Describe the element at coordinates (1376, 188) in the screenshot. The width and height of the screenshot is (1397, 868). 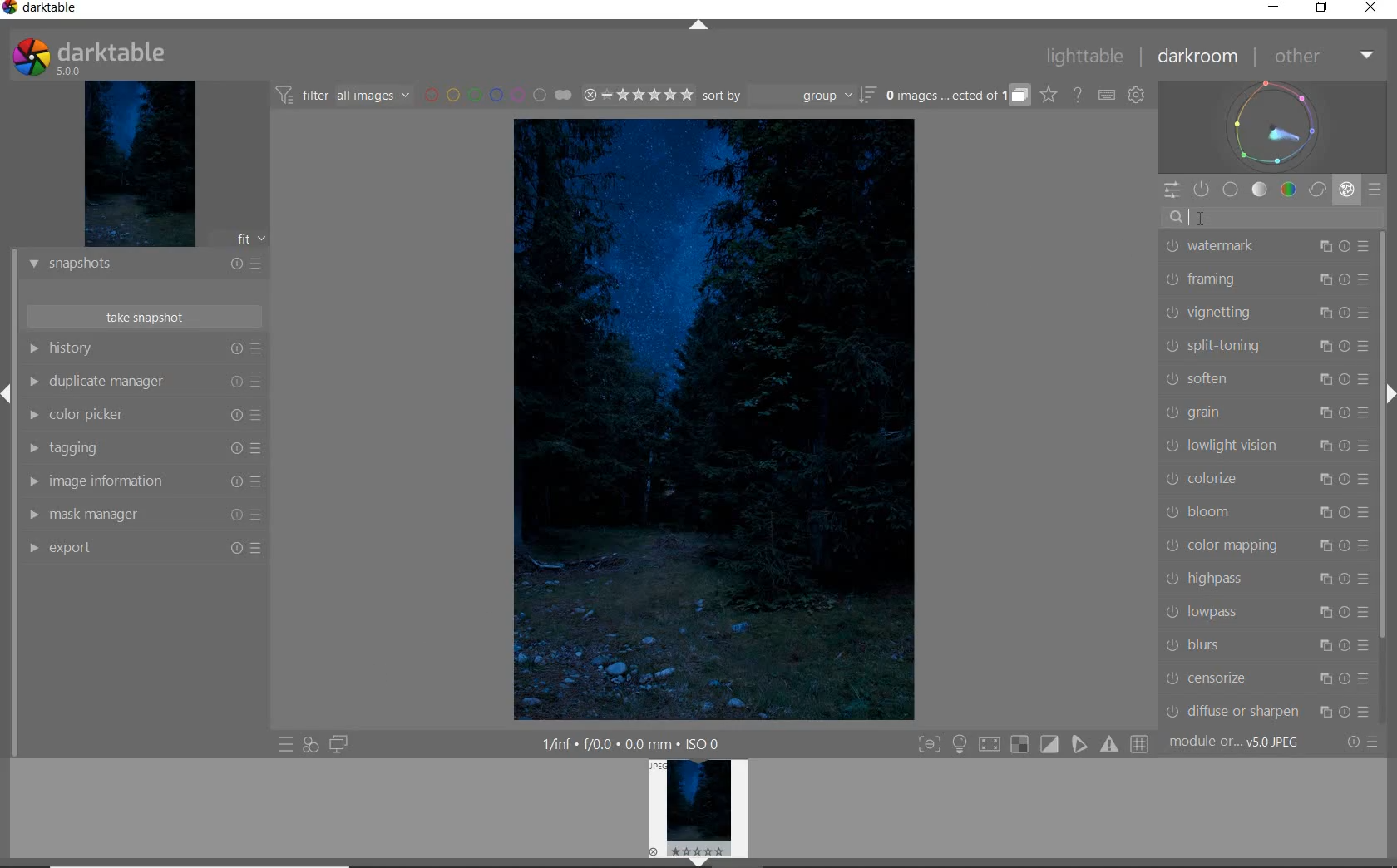
I see `PRESETS` at that location.